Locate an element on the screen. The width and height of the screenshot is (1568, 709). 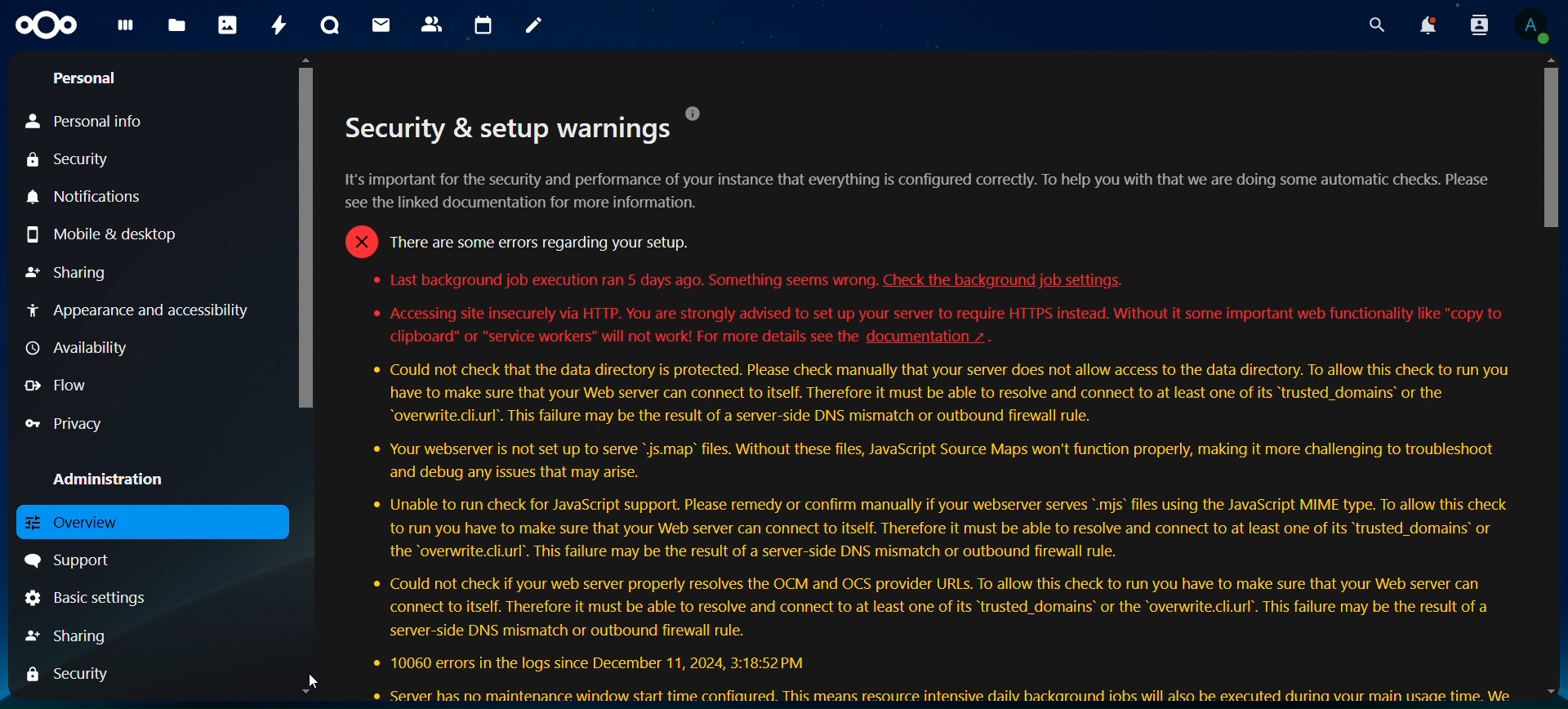
security is located at coordinates (82, 159).